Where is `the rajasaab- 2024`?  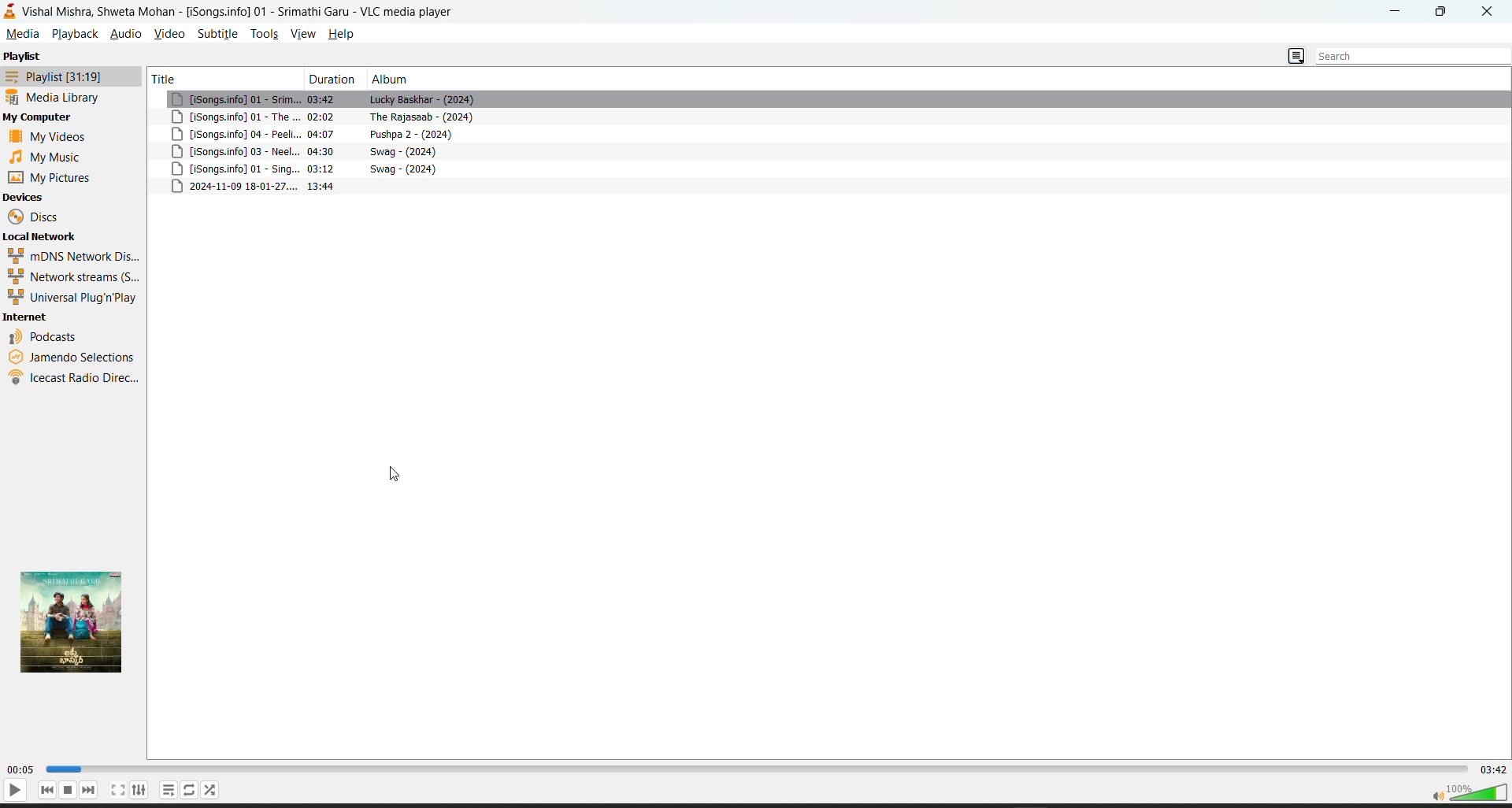
the rajasaab- 2024 is located at coordinates (424, 117).